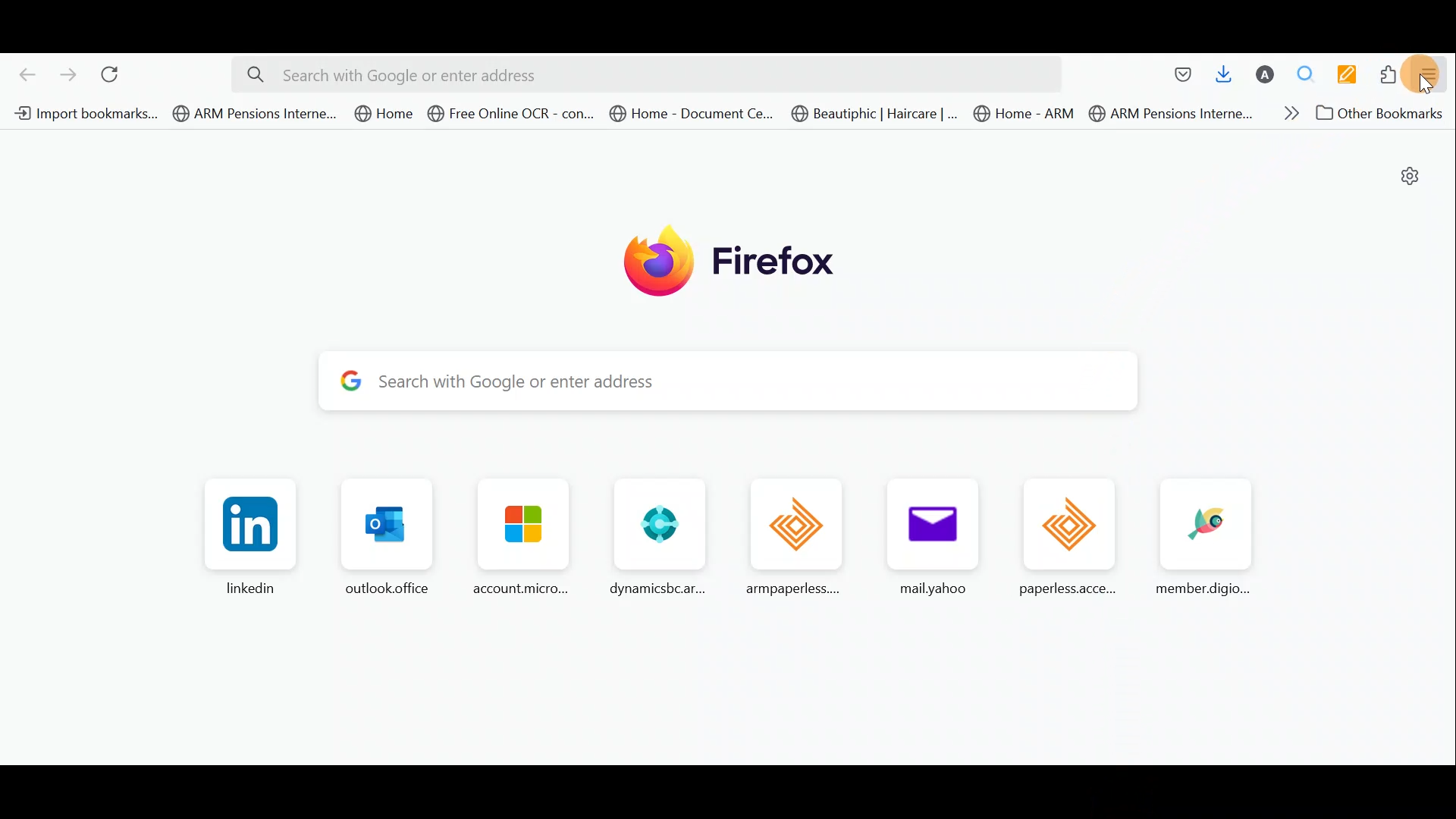 The width and height of the screenshot is (1456, 819). Describe the element at coordinates (350, 383) in the screenshot. I see `google logo` at that location.